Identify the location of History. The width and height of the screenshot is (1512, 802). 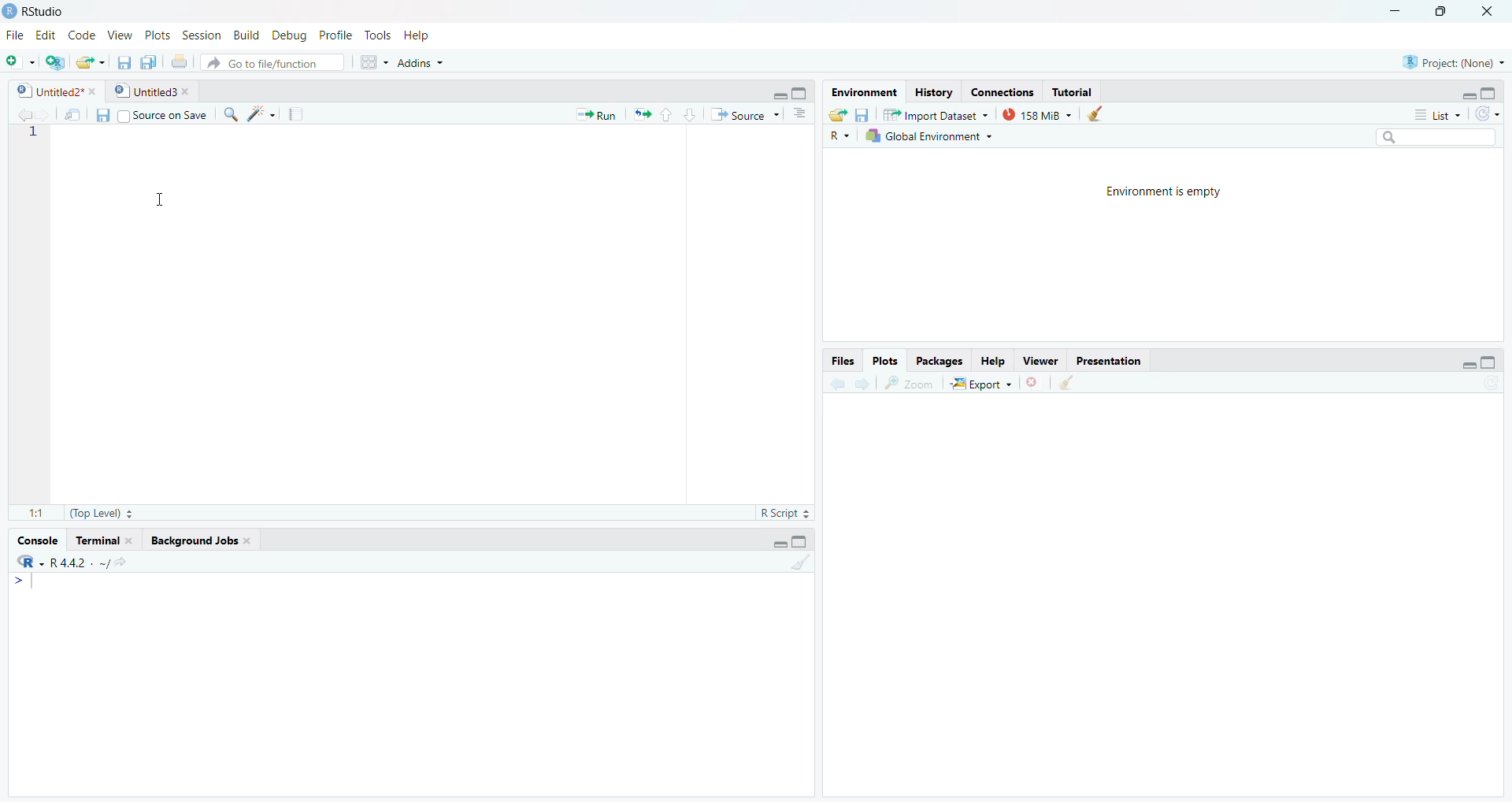
(932, 91).